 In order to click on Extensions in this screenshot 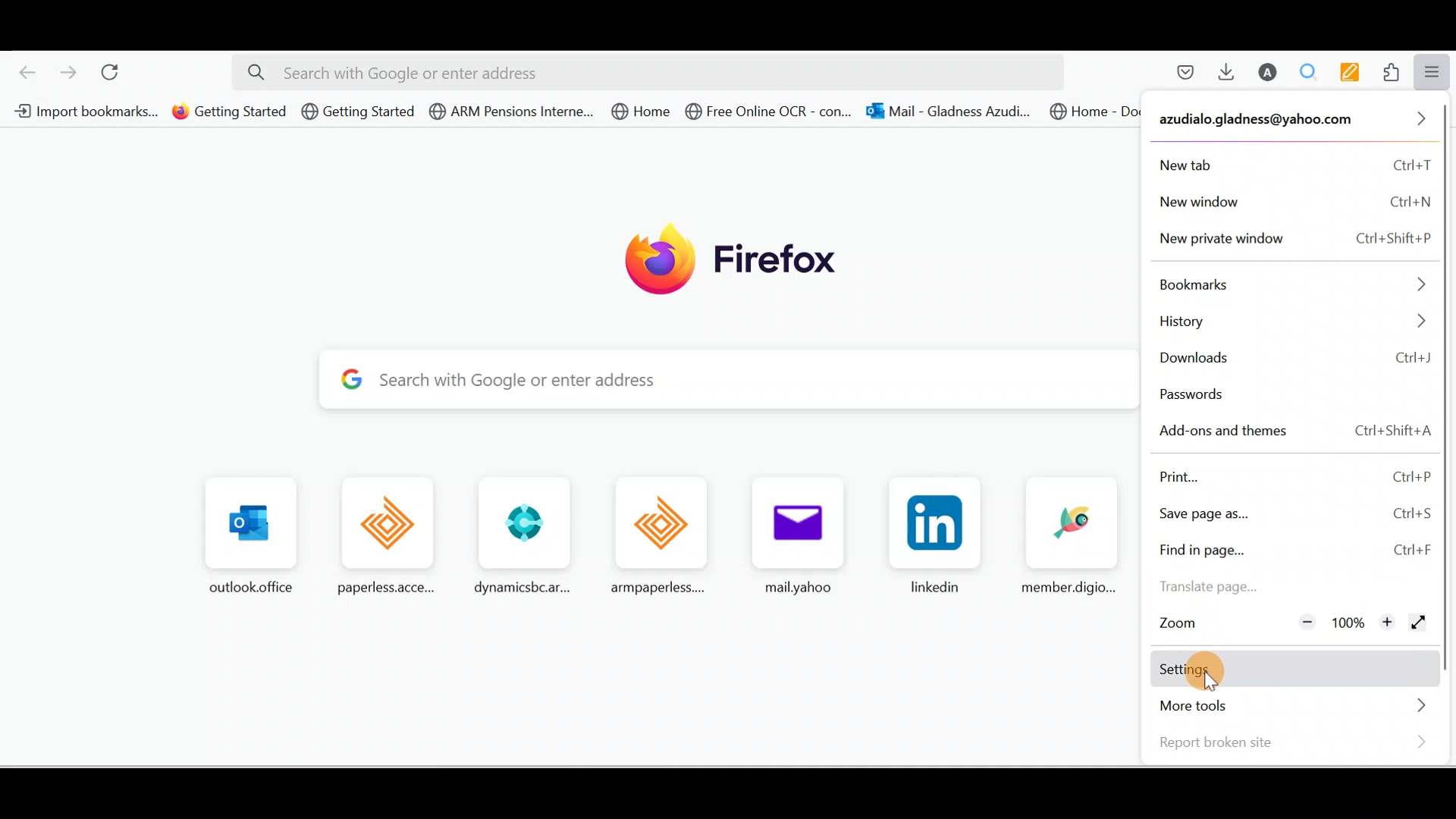, I will do `click(1394, 71)`.